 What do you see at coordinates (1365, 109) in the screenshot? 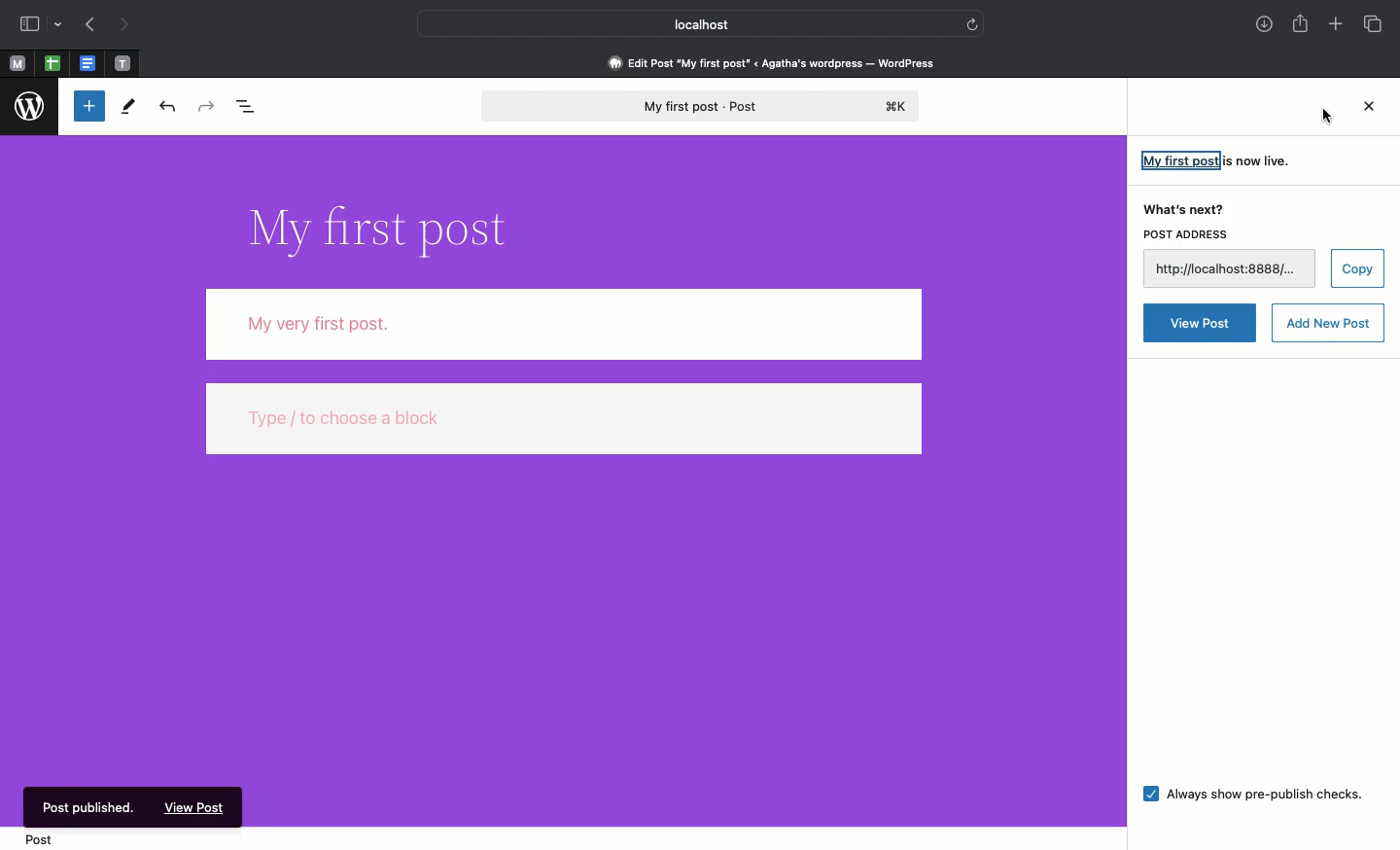
I see `Close` at bounding box center [1365, 109].